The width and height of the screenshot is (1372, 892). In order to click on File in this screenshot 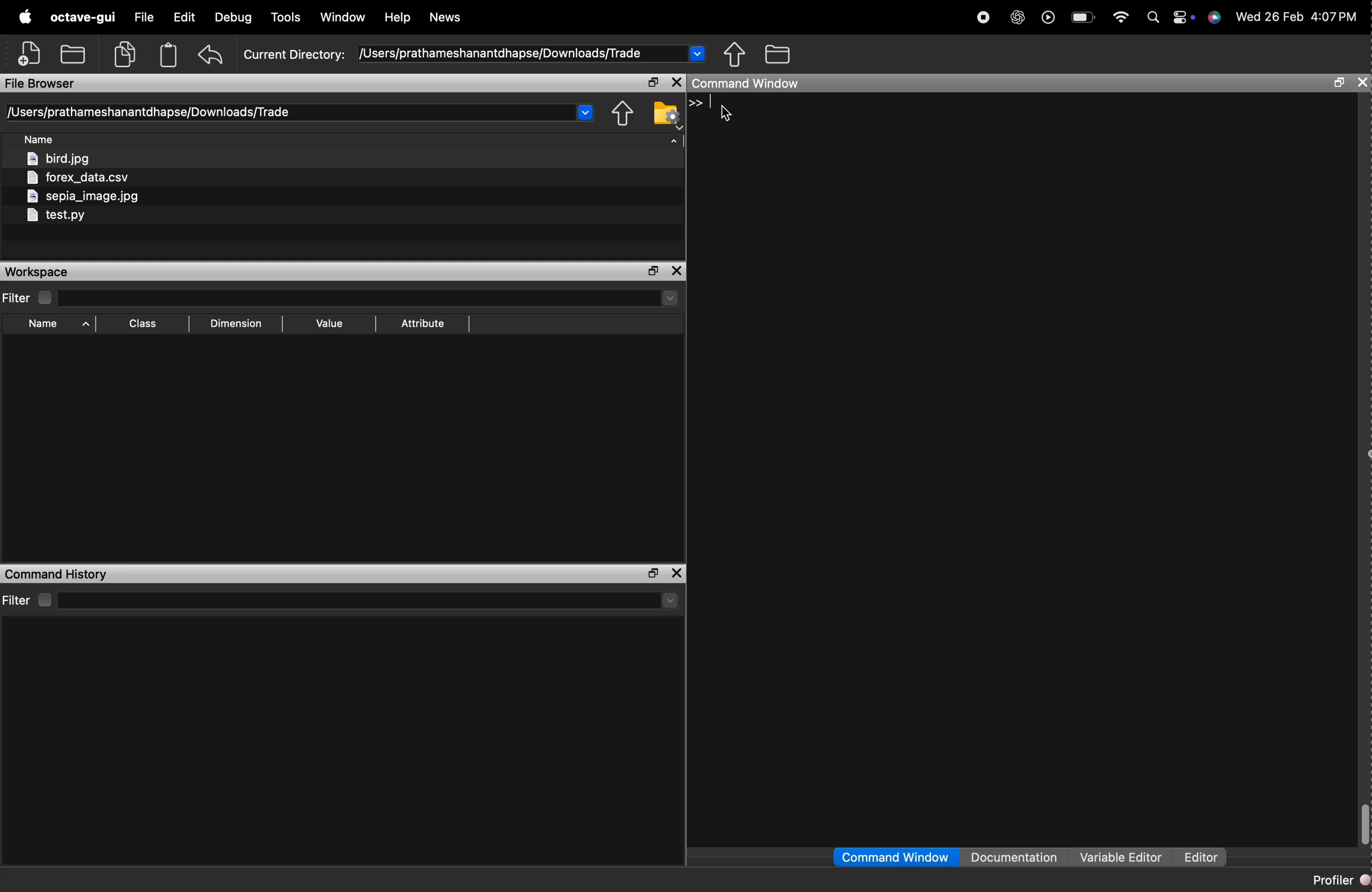, I will do `click(145, 18)`.